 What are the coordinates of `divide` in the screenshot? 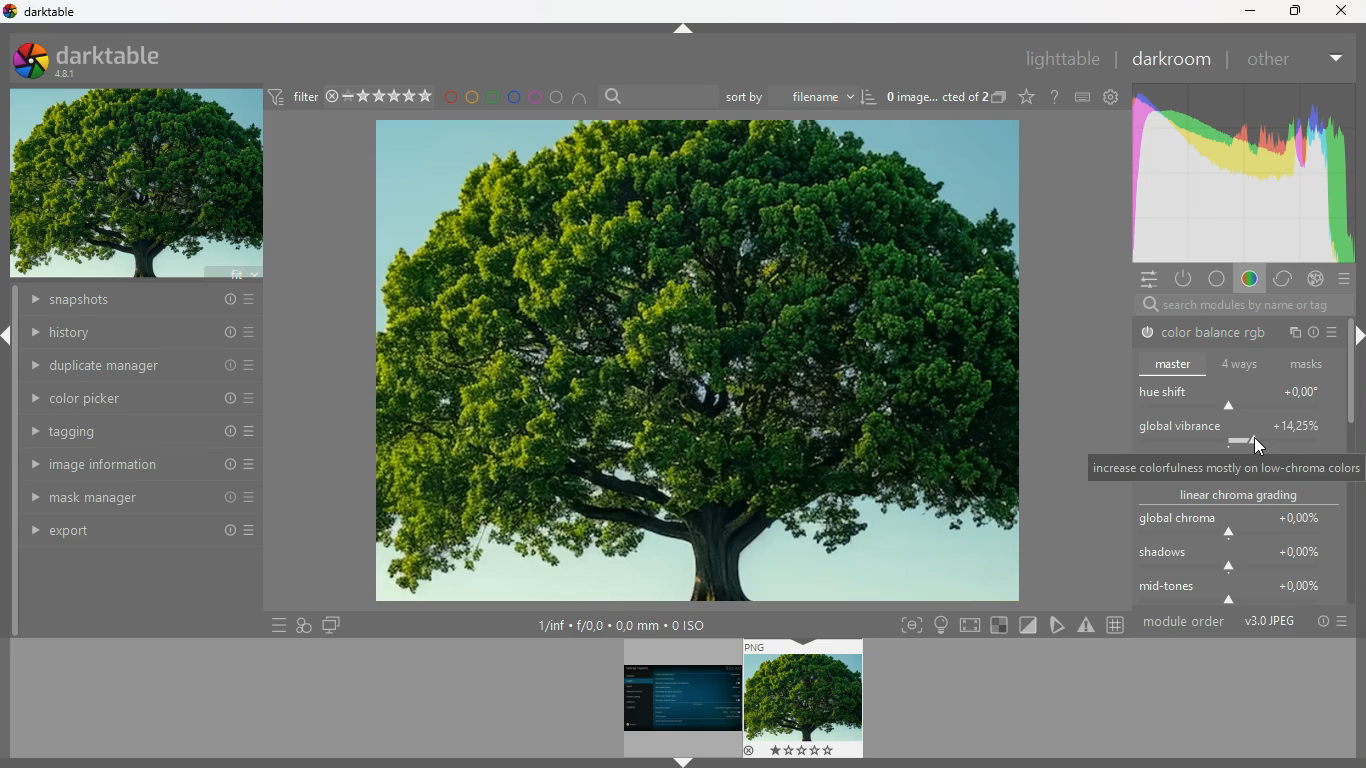 It's located at (1030, 624).